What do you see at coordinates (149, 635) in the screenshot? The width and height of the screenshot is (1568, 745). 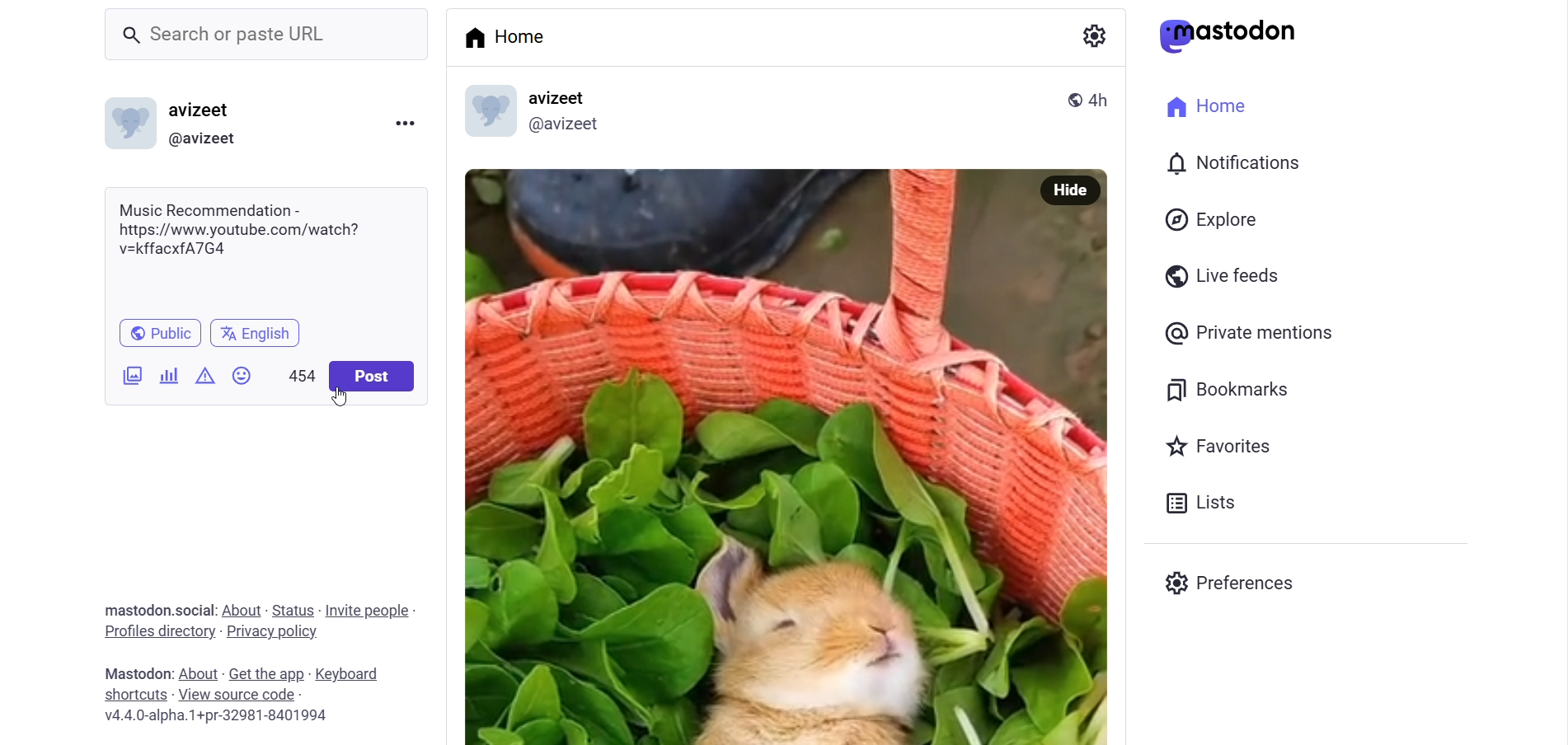 I see `profiles` at bounding box center [149, 635].